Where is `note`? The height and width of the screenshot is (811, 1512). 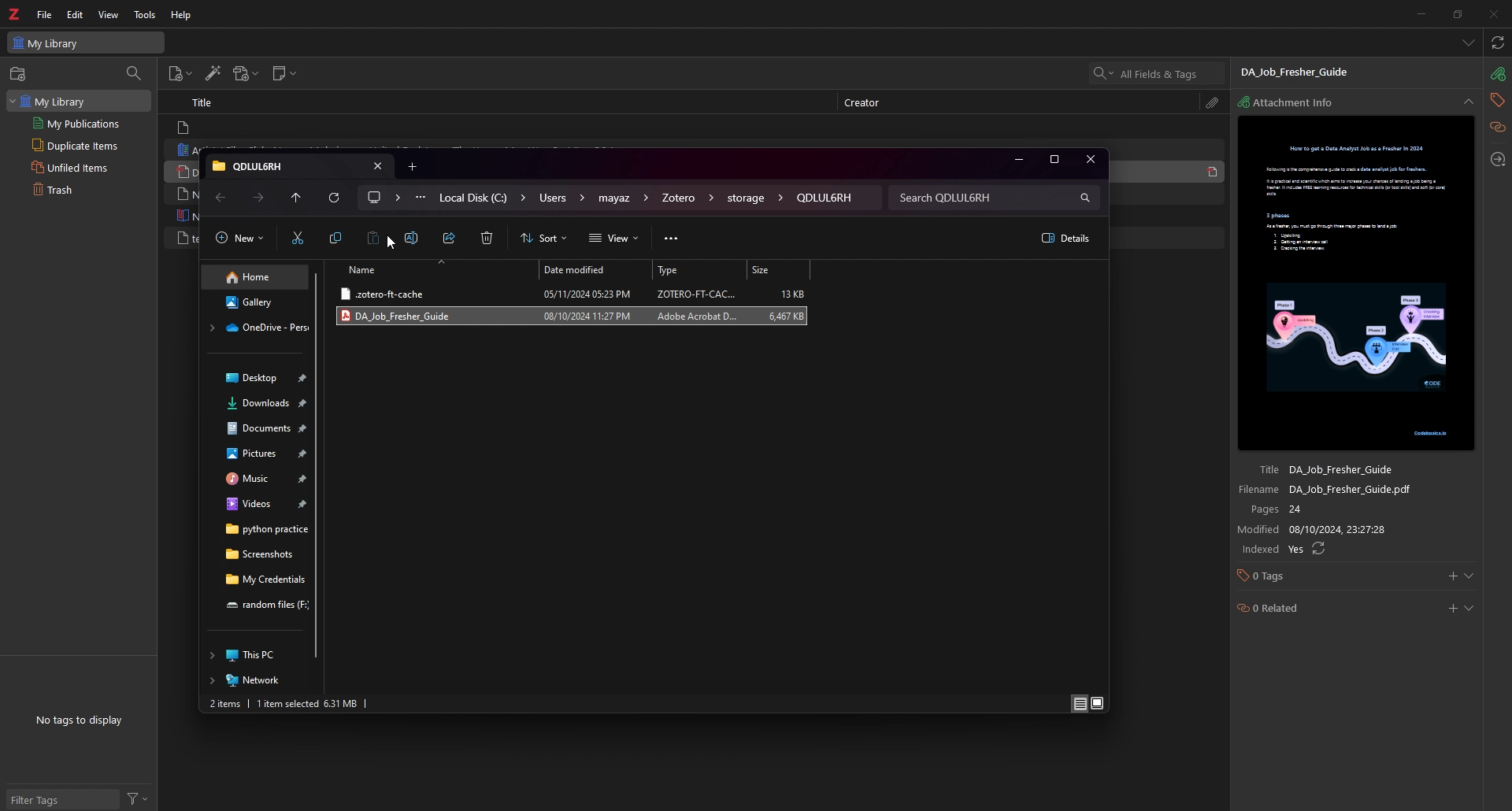
note is located at coordinates (270, 127).